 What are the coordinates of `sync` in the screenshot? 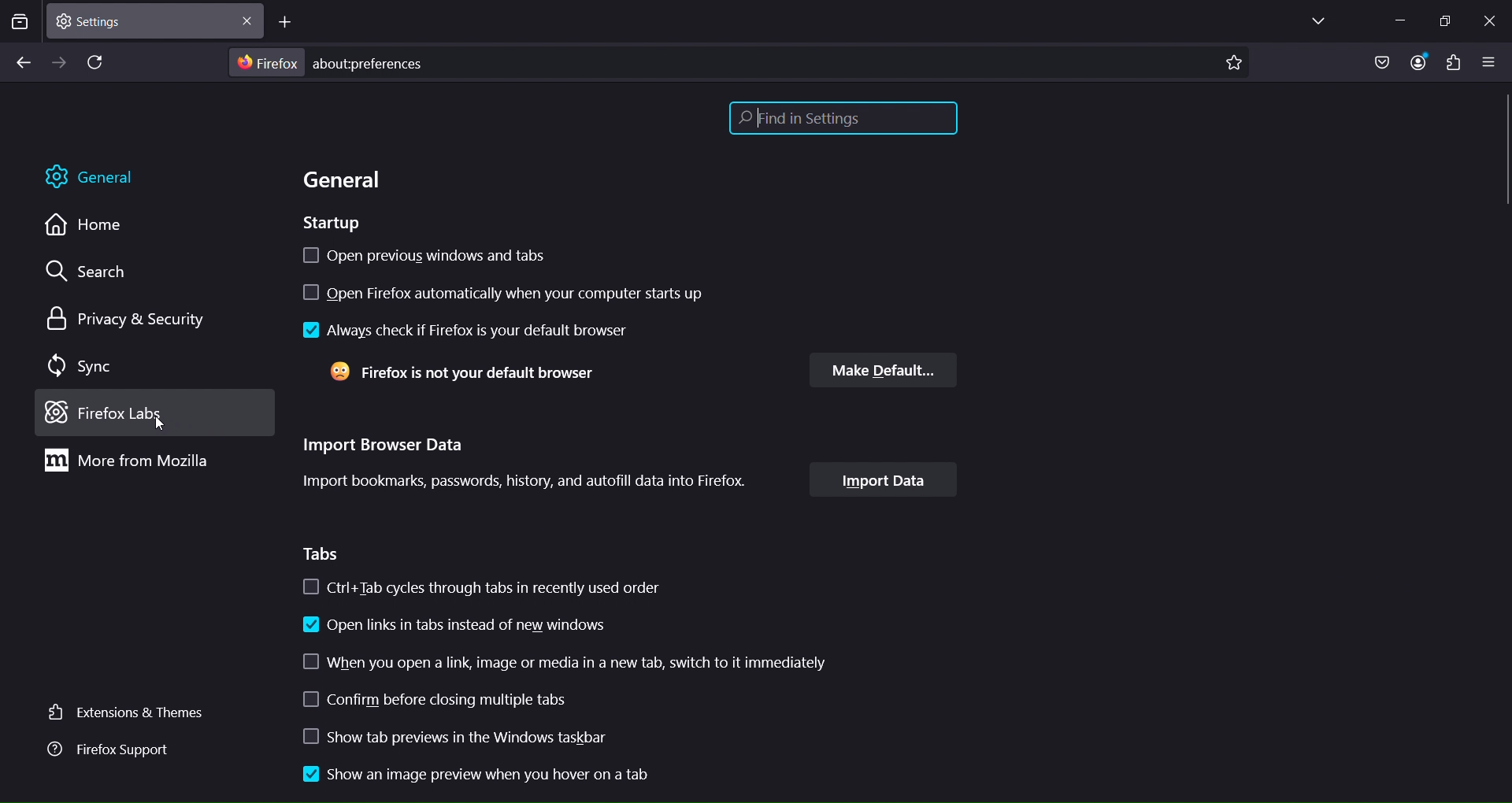 It's located at (79, 364).